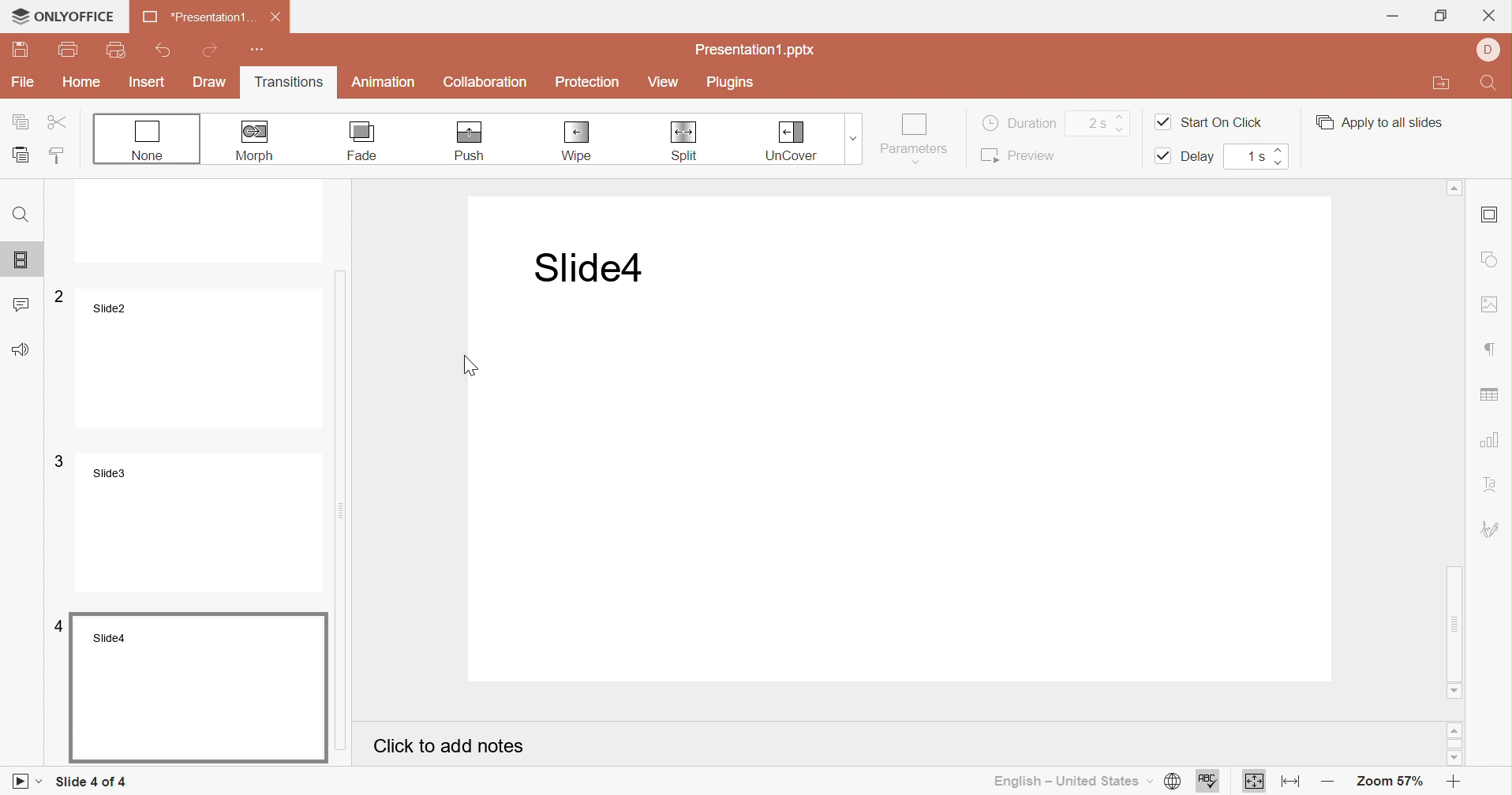 This screenshot has width=1512, height=795. I want to click on Signature, so click(1492, 529).